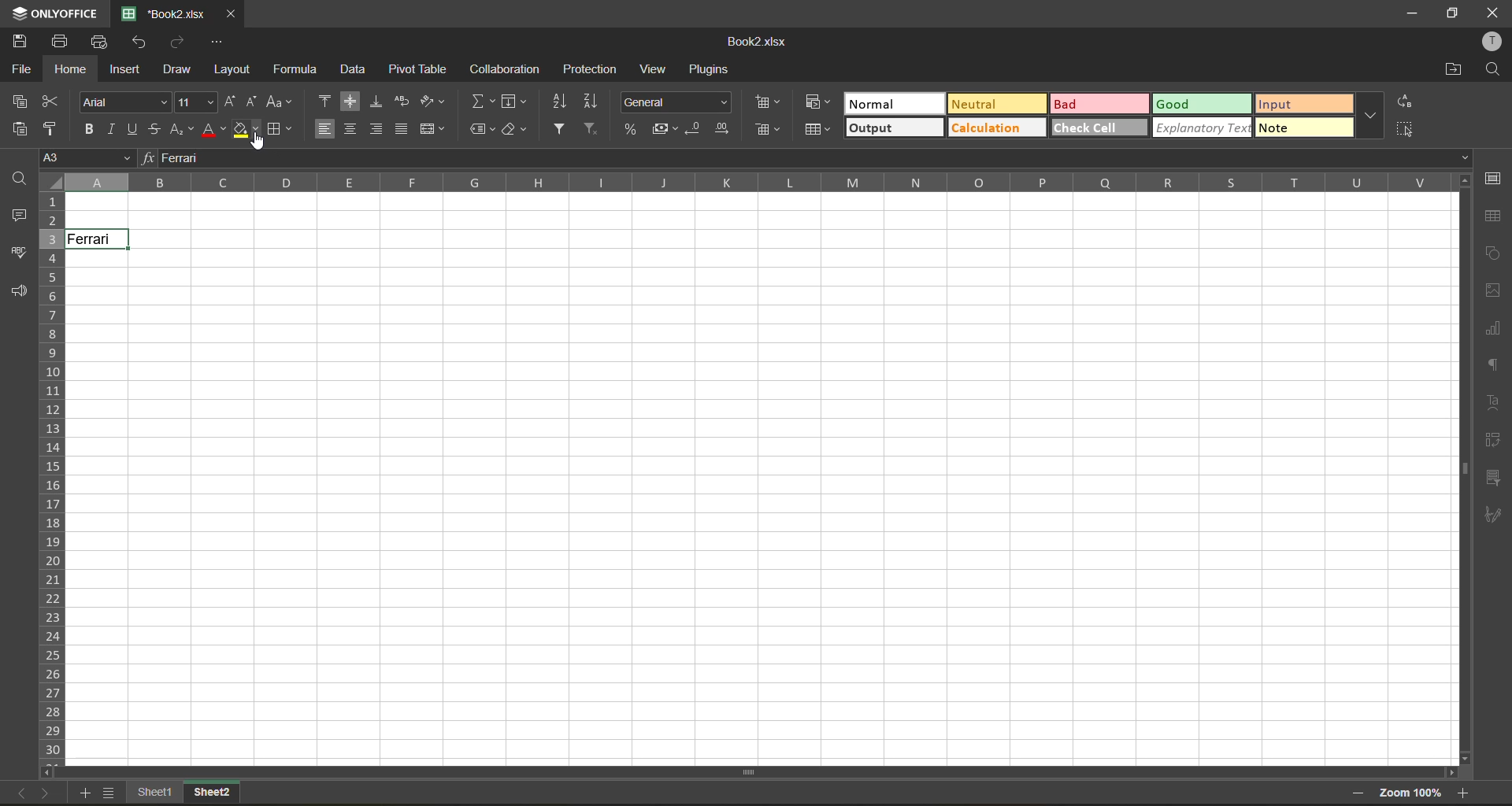 This screenshot has height=806, width=1512. What do you see at coordinates (516, 131) in the screenshot?
I see `clear` at bounding box center [516, 131].